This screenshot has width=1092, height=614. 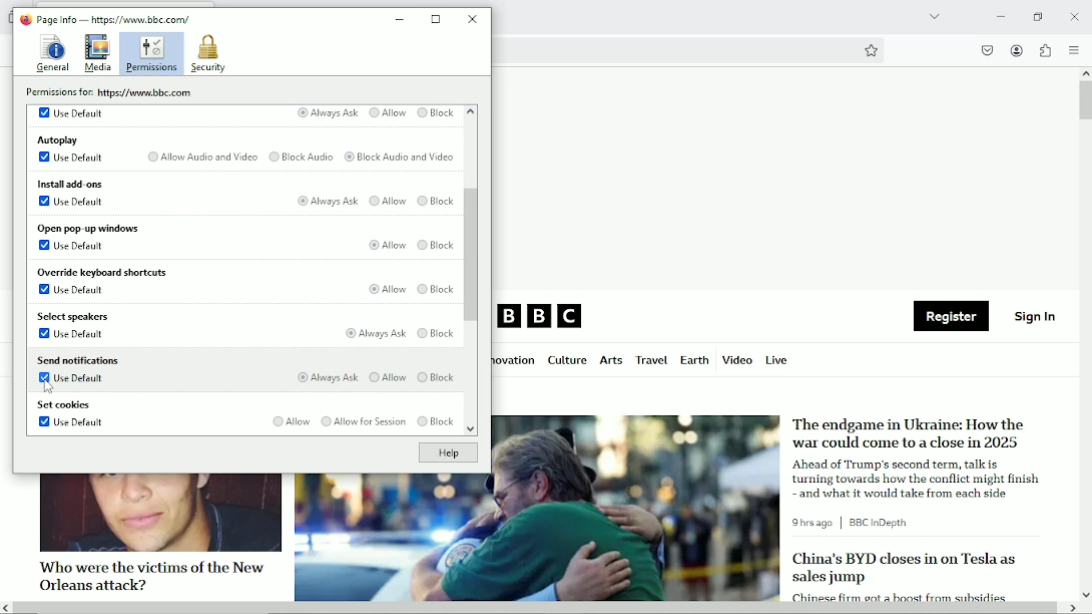 I want to click on Accounts, so click(x=1015, y=48).